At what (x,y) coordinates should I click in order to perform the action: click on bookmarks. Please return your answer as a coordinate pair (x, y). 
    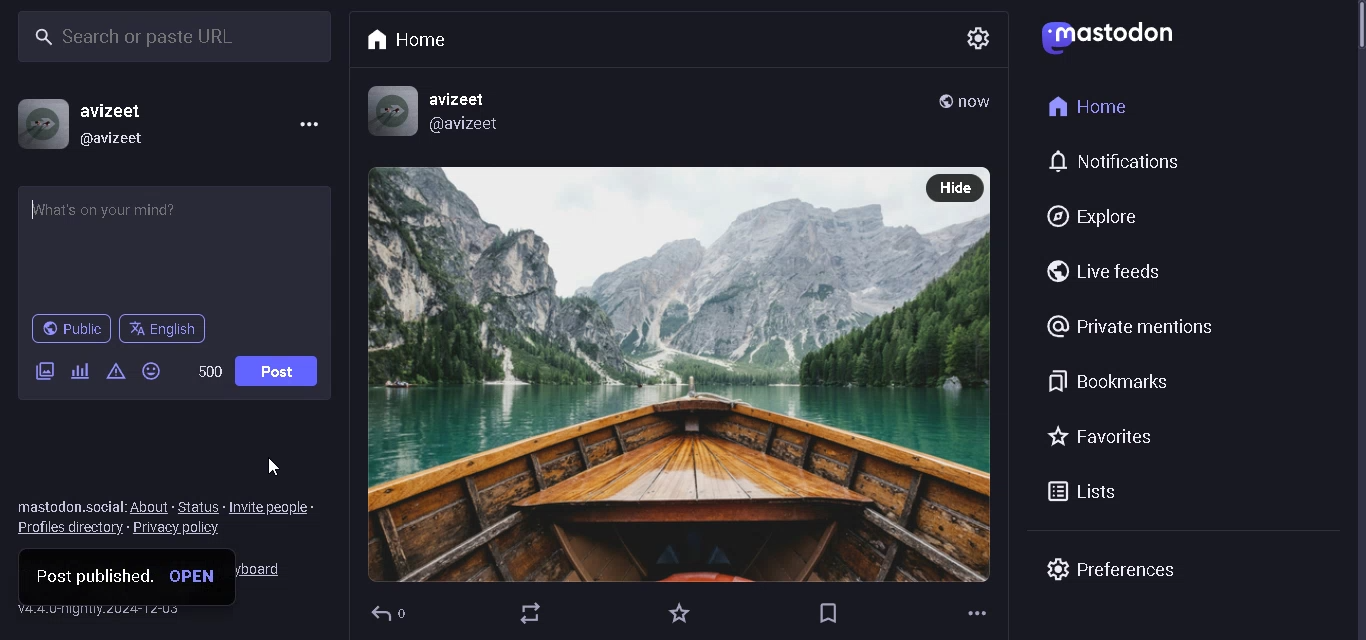
    Looking at the image, I should click on (1112, 381).